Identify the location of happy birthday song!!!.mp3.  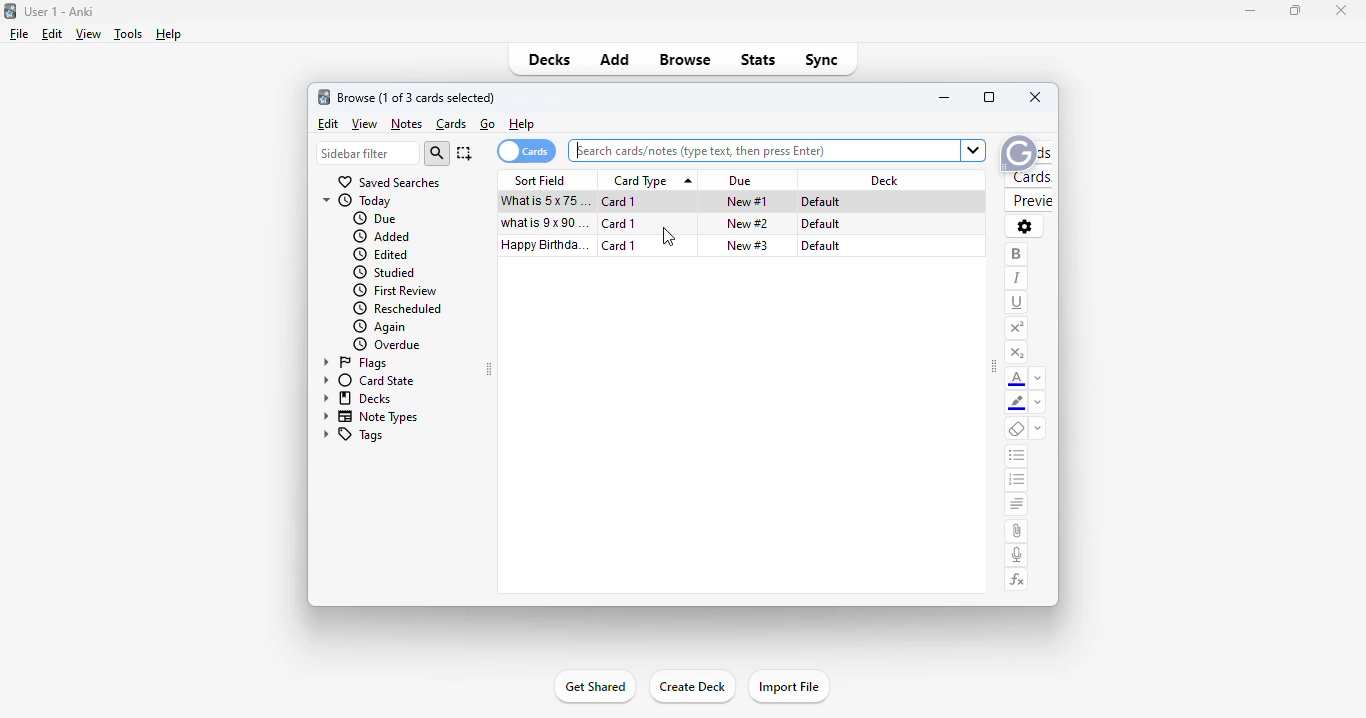
(545, 245).